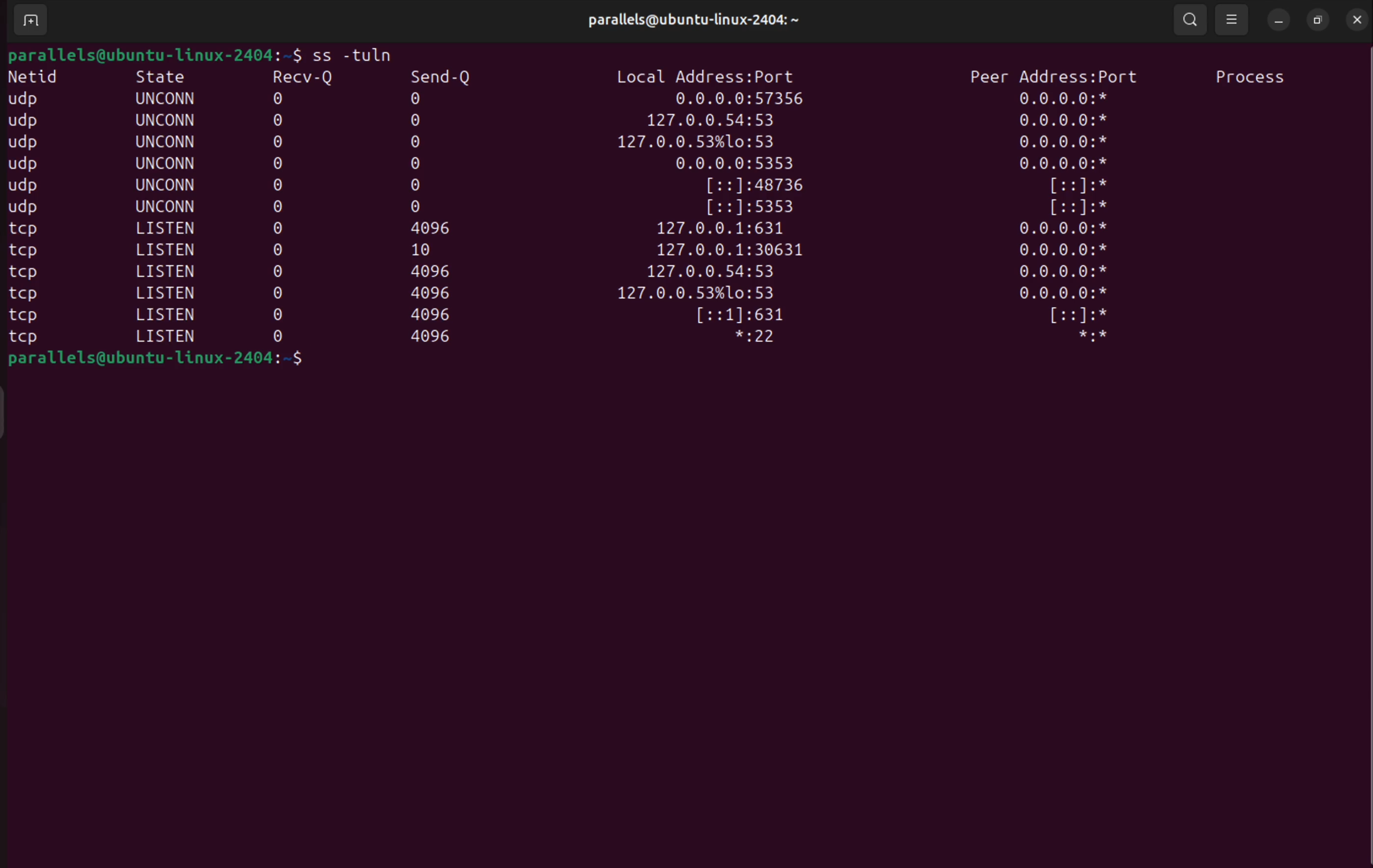  Describe the element at coordinates (281, 250) in the screenshot. I see `0` at that location.